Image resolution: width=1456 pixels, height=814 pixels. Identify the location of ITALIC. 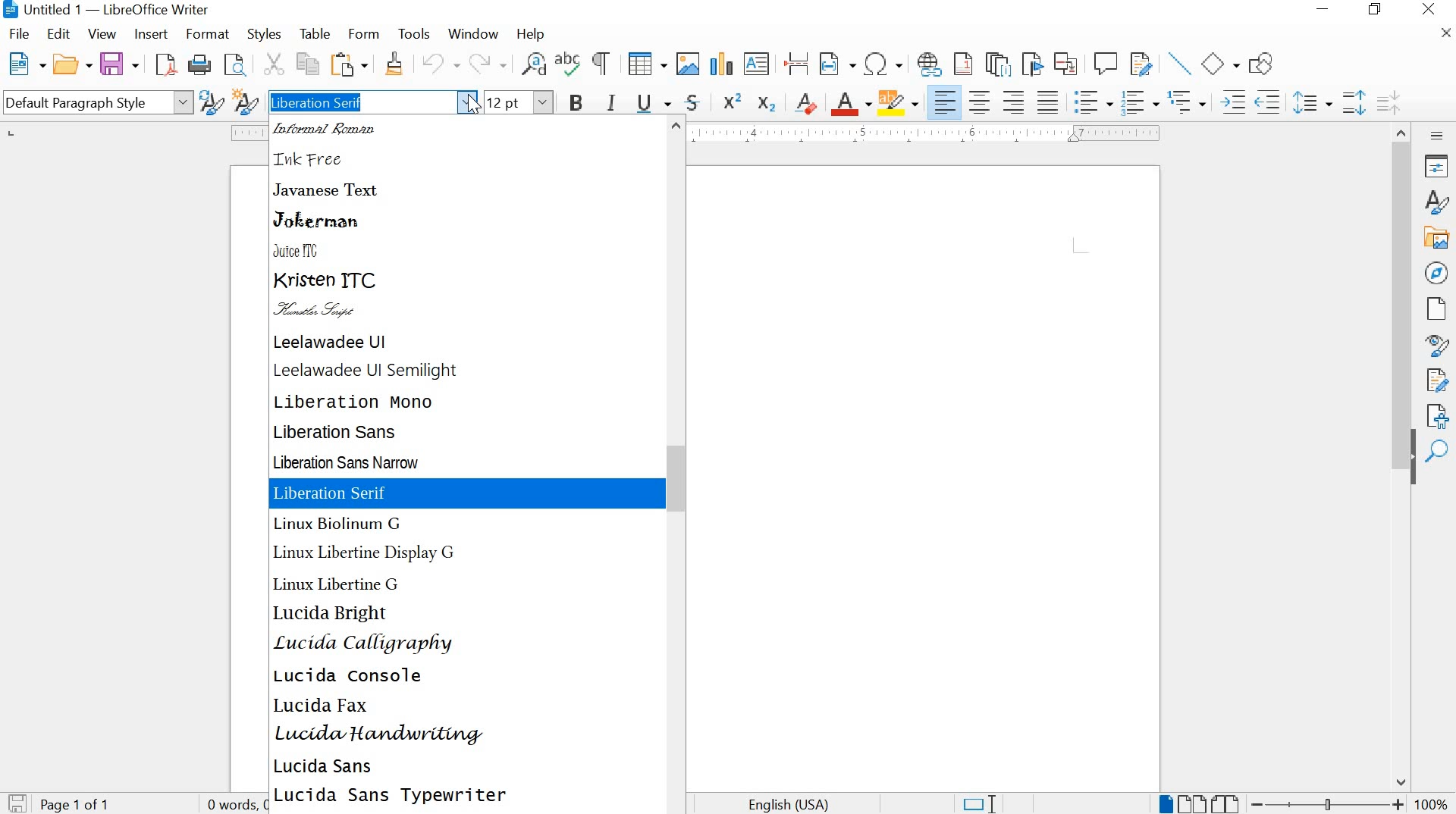
(613, 101).